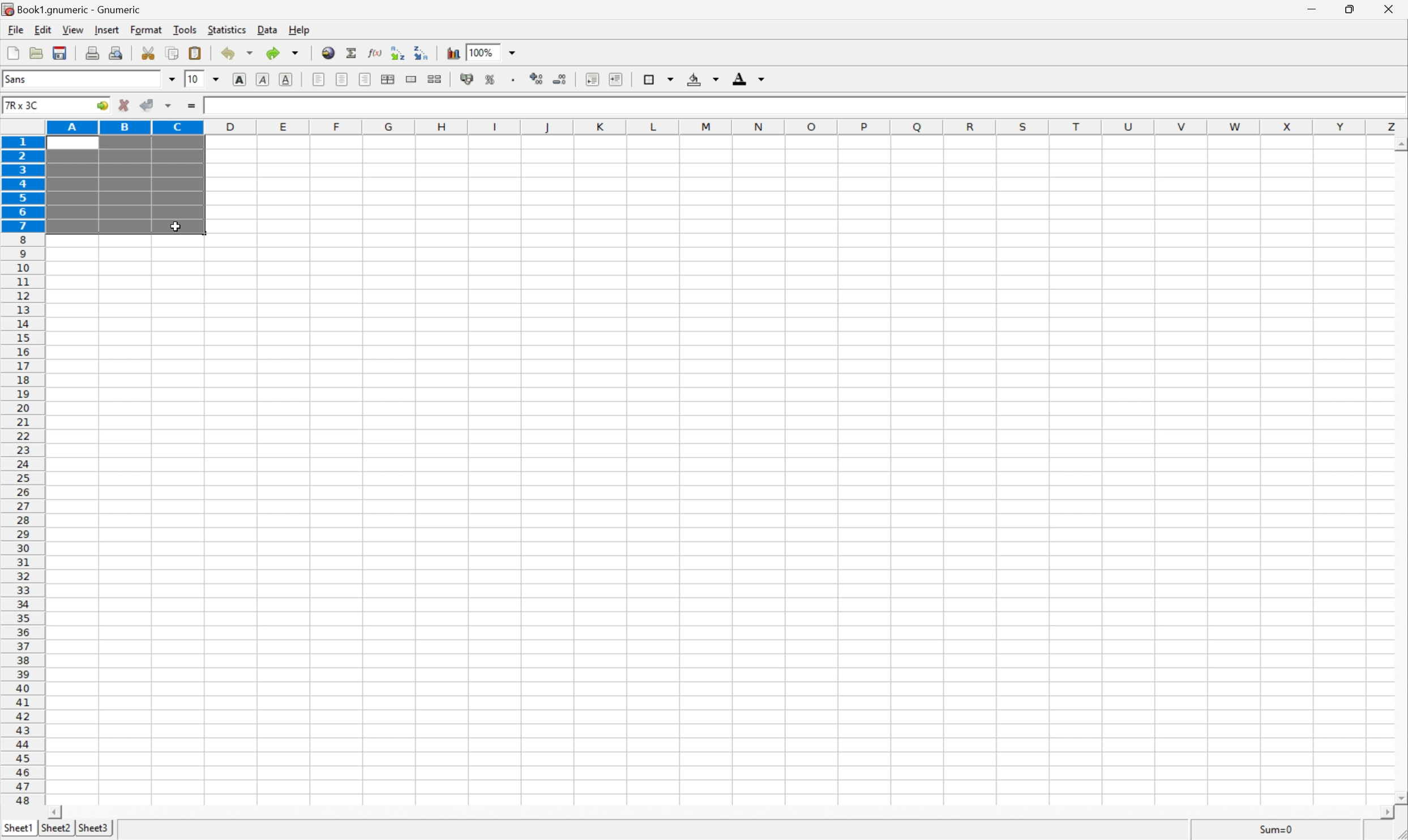 The width and height of the screenshot is (1408, 840). I want to click on enter formula, so click(193, 108).